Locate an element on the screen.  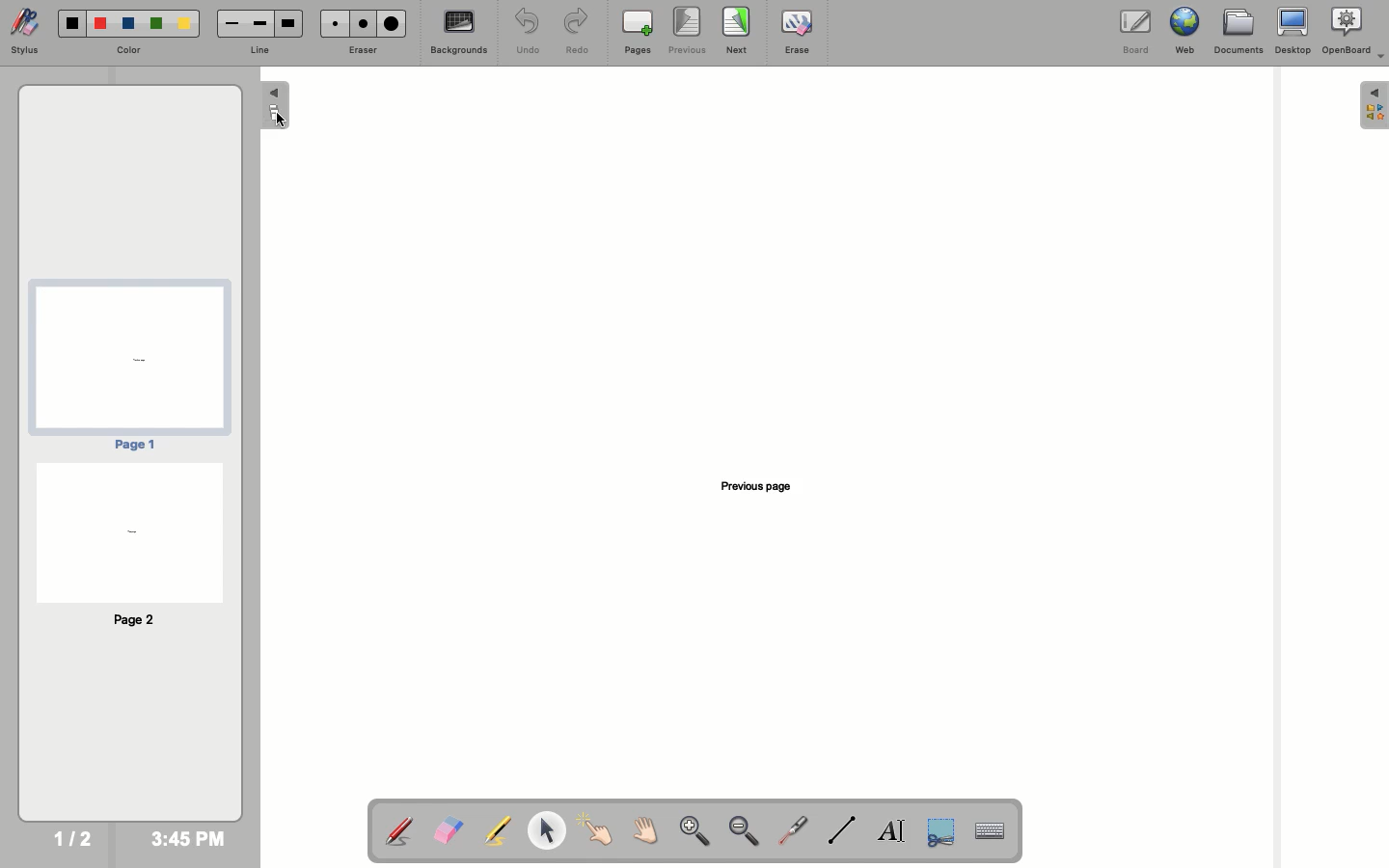
Next is located at coordinates (737, 30).